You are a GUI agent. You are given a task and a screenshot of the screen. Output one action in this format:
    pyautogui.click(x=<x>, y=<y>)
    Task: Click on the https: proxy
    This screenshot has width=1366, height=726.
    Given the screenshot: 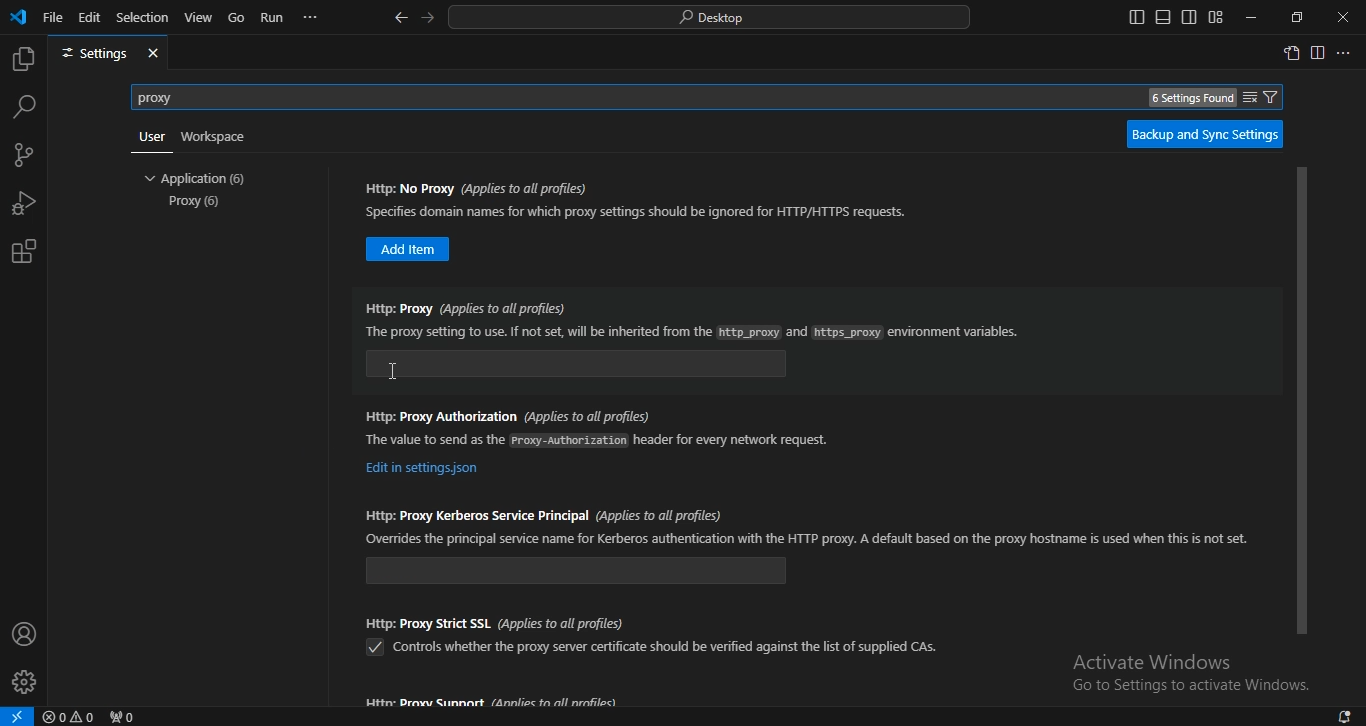 What is the action you would take?
    pyautogui.click(x=693, y=332)
    